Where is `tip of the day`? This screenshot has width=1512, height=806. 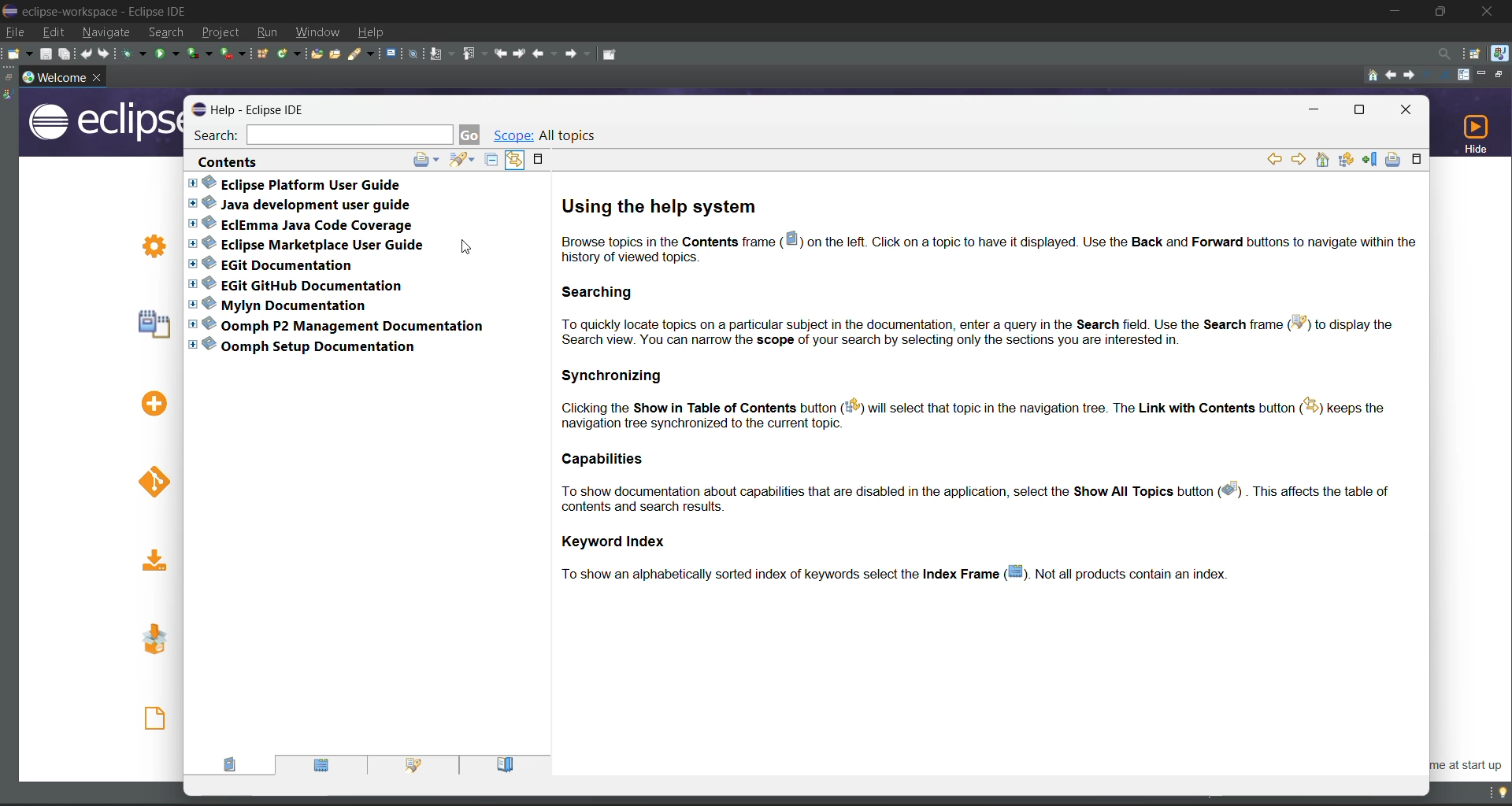
tip of the day is located at coordinates (1502, 793).